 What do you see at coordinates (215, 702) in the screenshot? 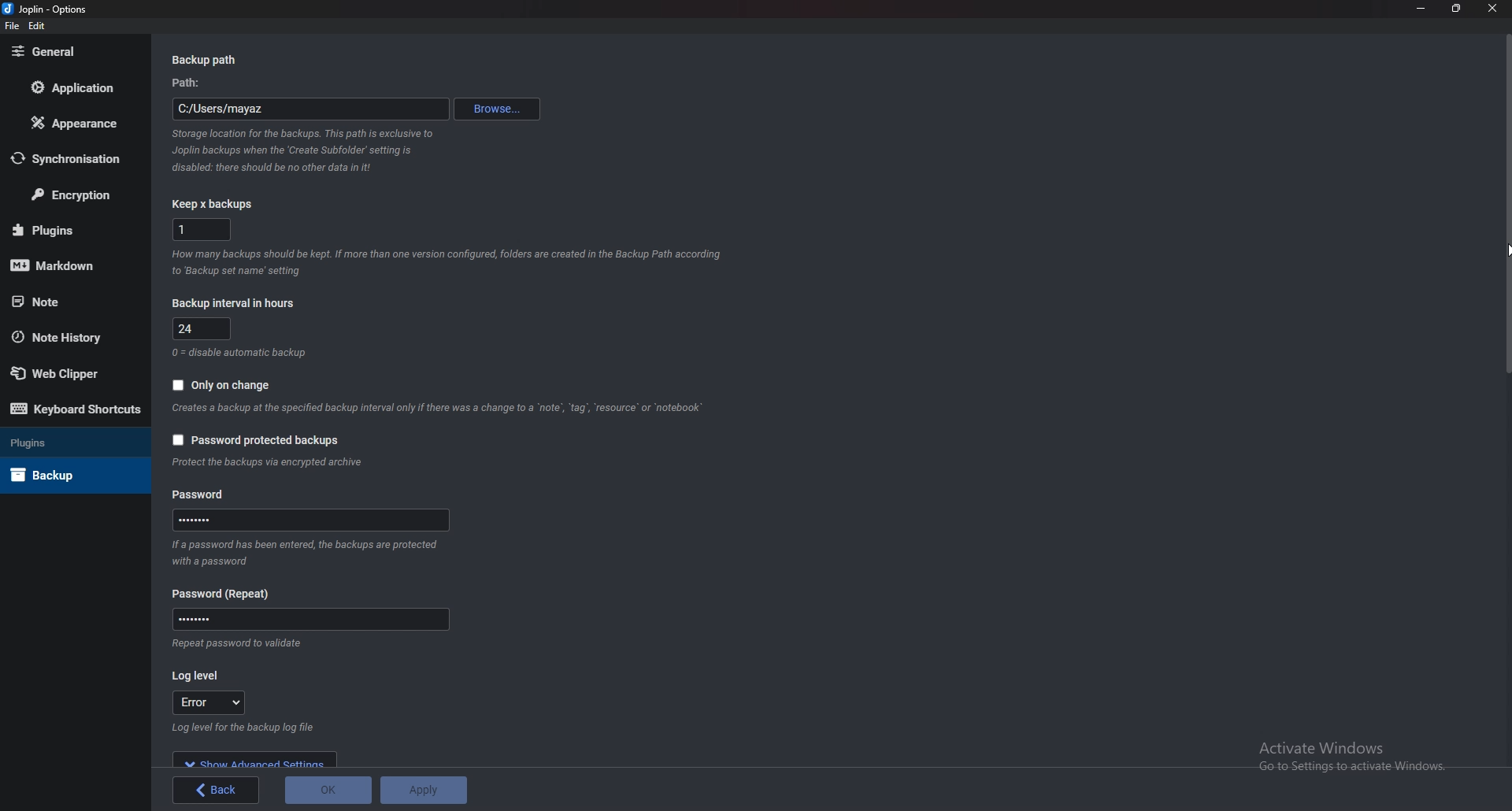
I see `error` at bounding box center [215, 702].